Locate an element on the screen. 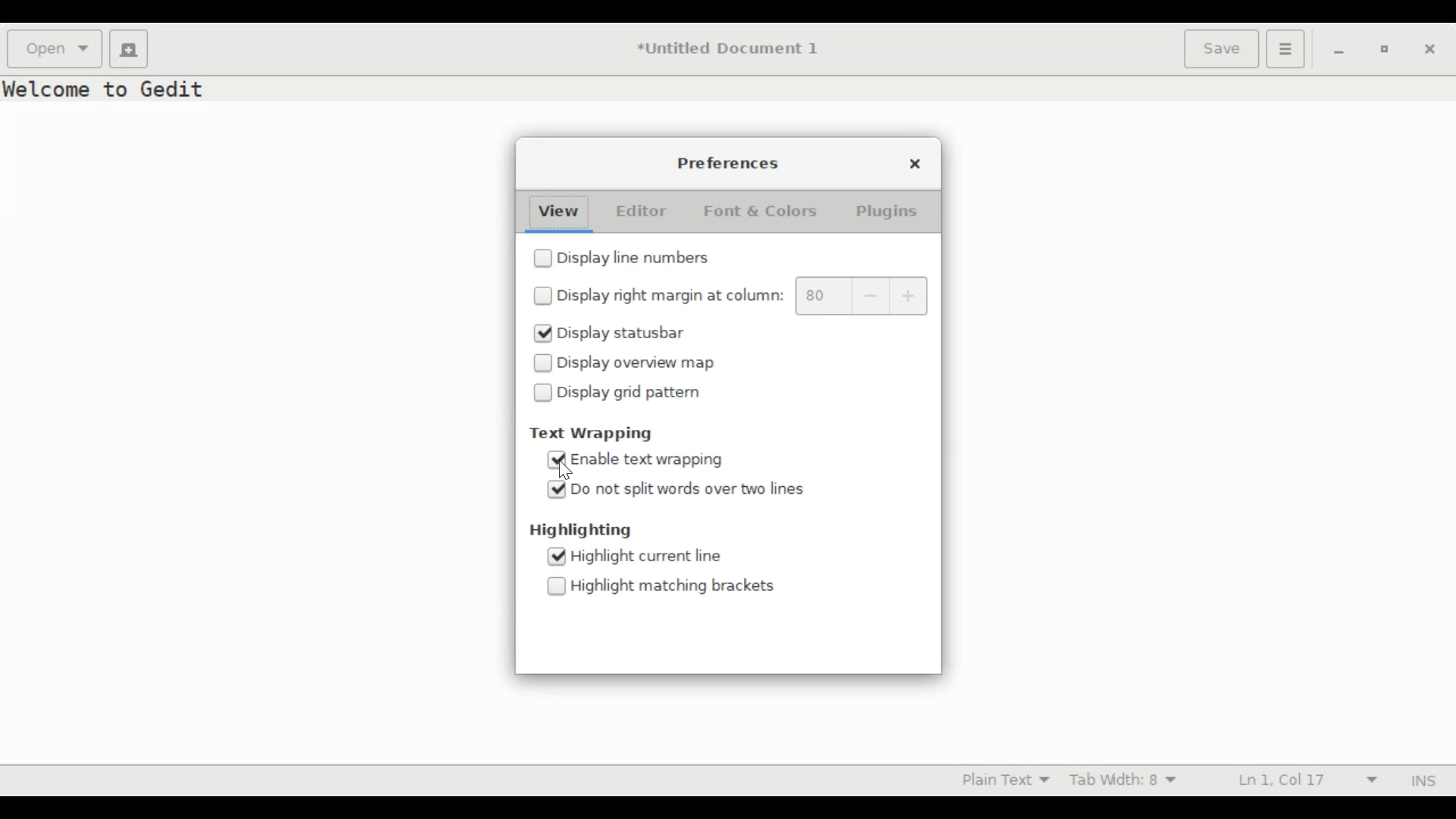 Image resolution: width=1456 pixels, height=819 pixels. checked checkbox is located at coordinates (557, 491).